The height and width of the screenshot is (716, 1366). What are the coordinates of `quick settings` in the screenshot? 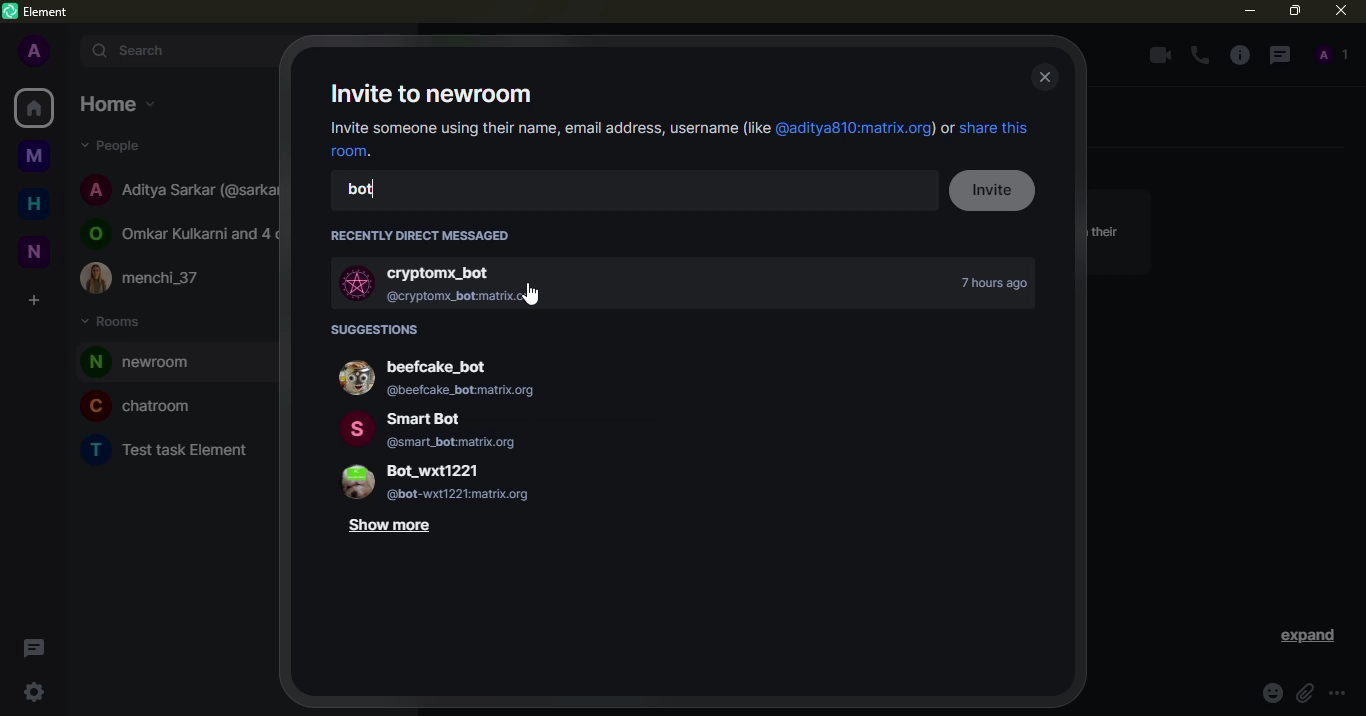 It's located at (33, 690).